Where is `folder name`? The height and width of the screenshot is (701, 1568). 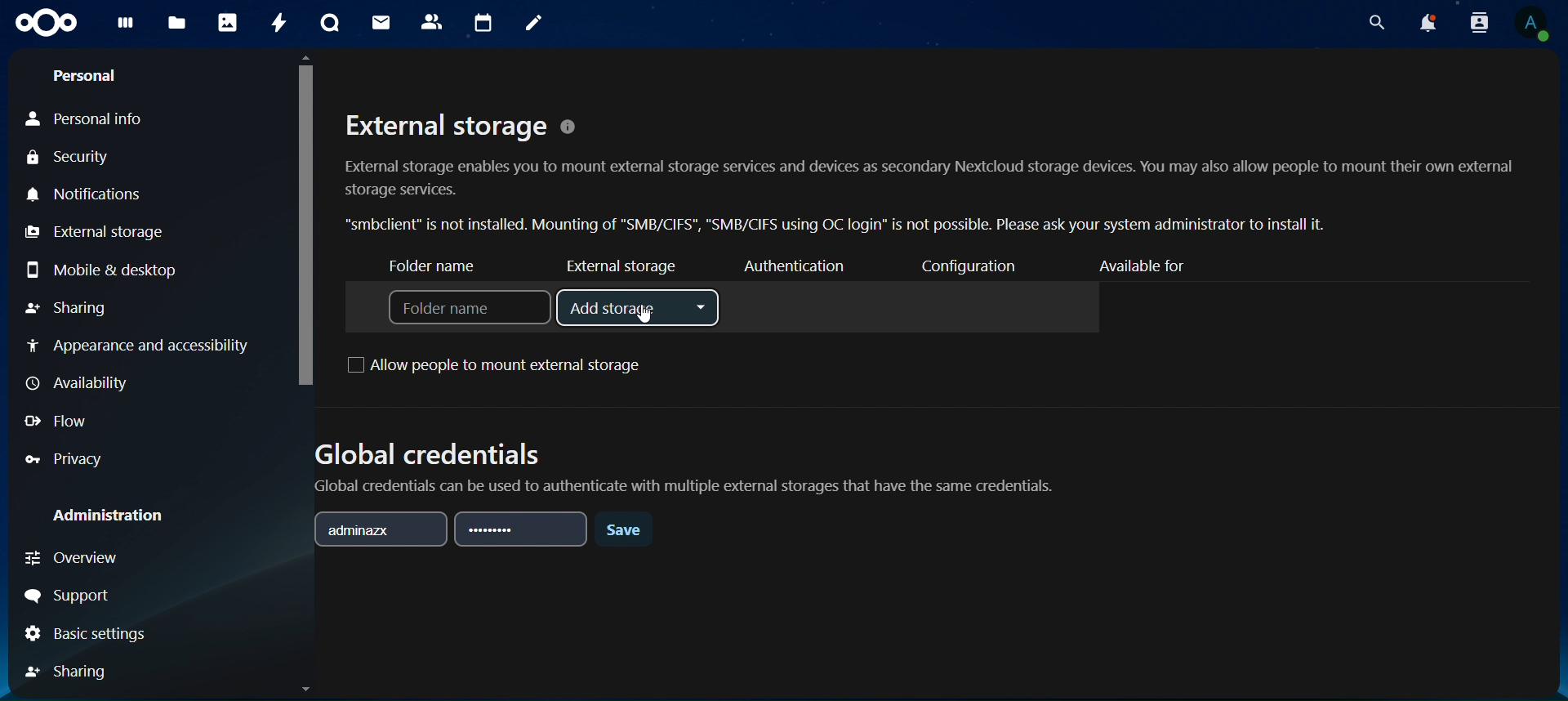 folder name is located at coordinates (470, 308).